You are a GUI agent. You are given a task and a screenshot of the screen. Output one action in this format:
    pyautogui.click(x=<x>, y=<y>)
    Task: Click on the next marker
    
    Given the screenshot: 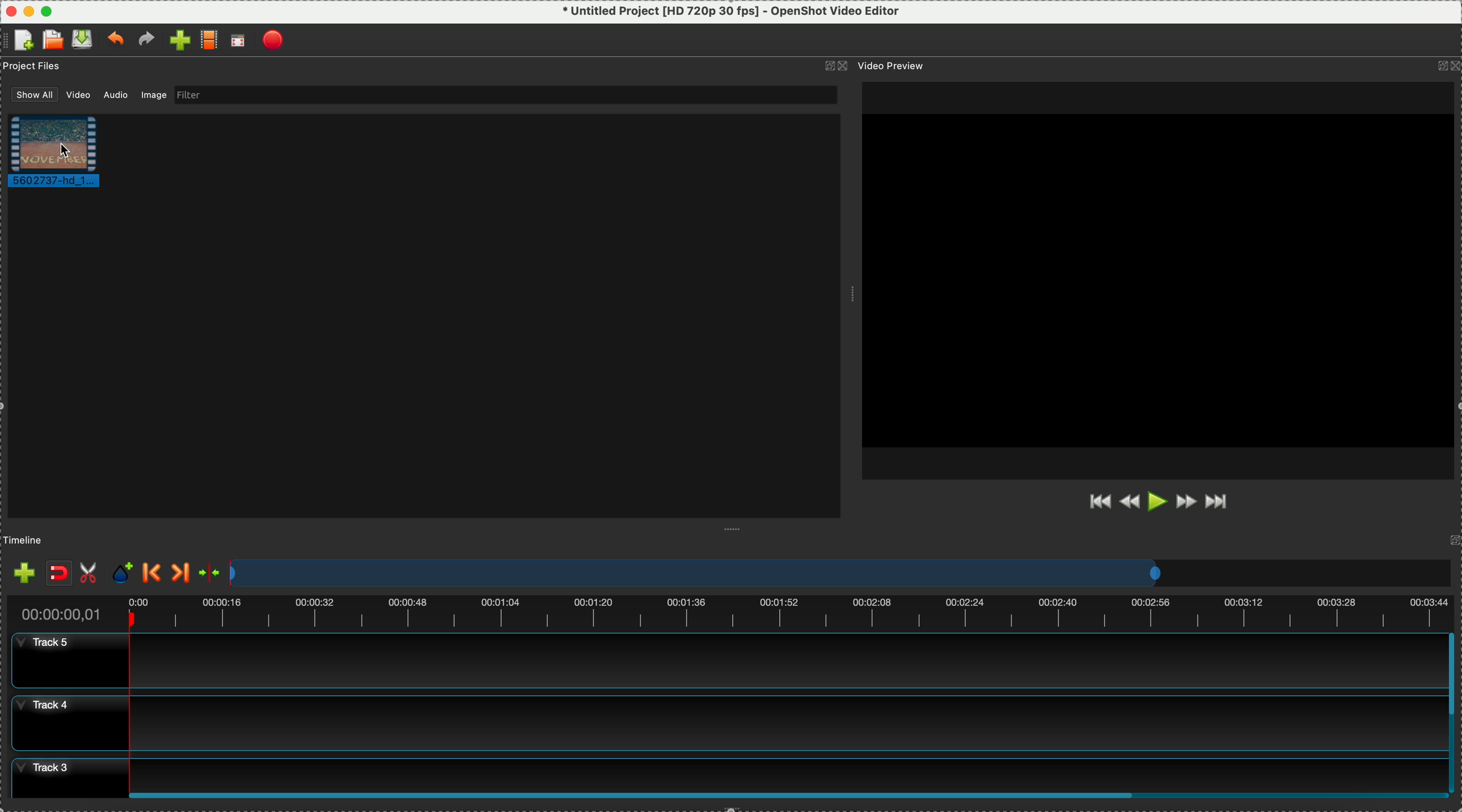 What is the action you would take?
    pyautogui.click(x=182, y=573)
    